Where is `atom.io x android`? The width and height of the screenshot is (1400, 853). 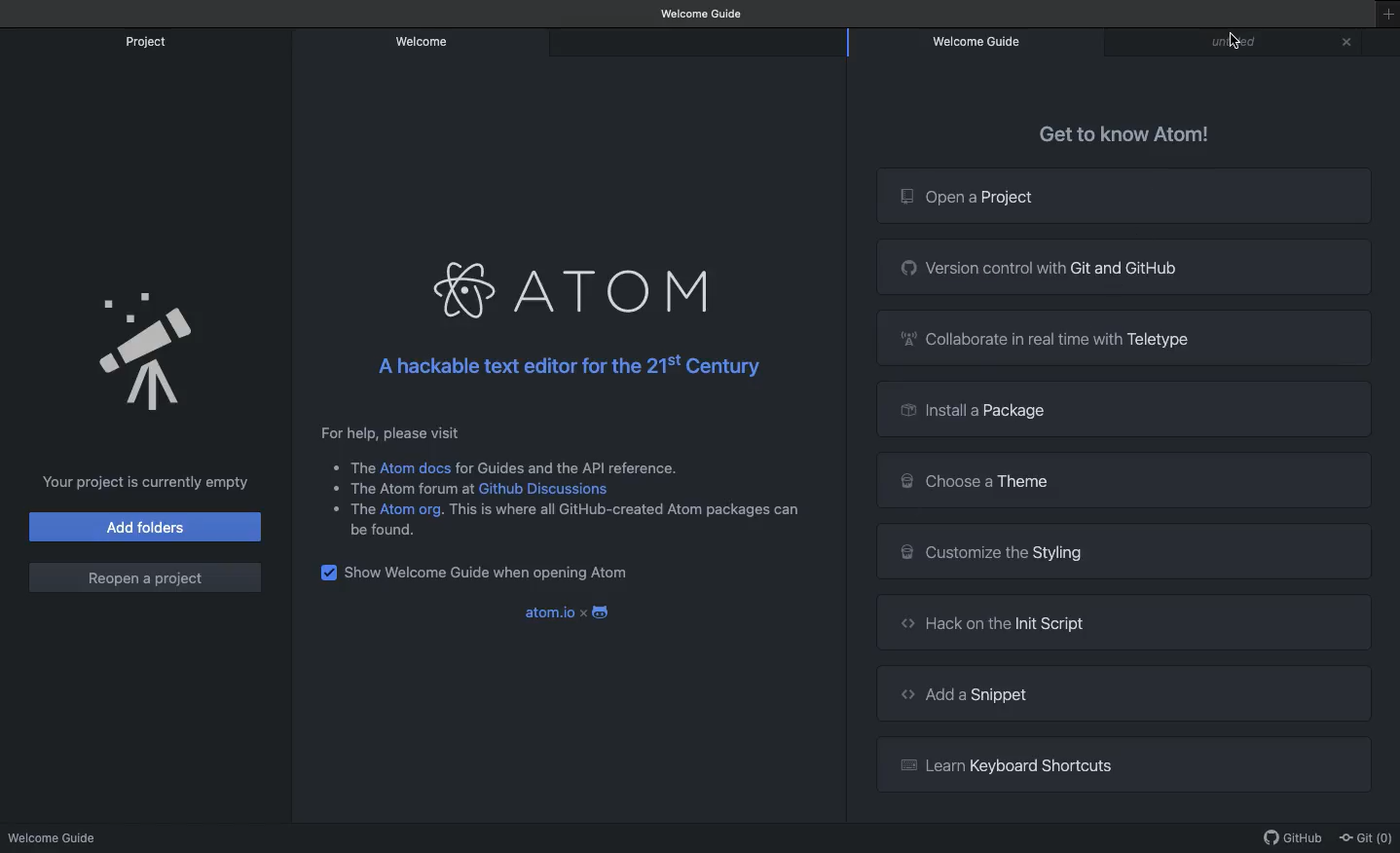
atom.io x android is located at coordinates (568, 612).